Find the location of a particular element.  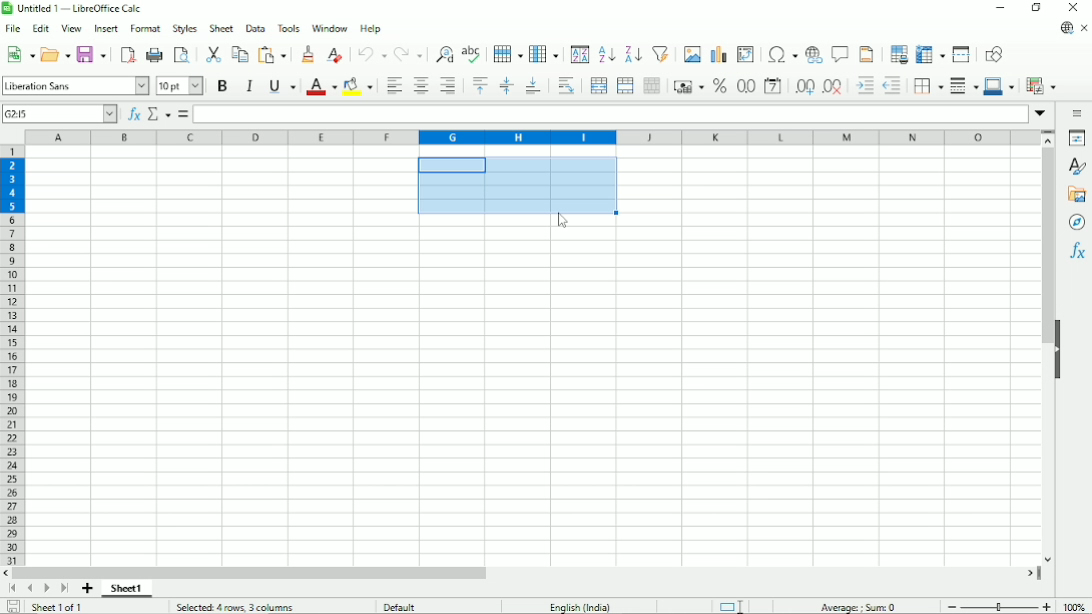

Borders is located at coordinates (927, 87).